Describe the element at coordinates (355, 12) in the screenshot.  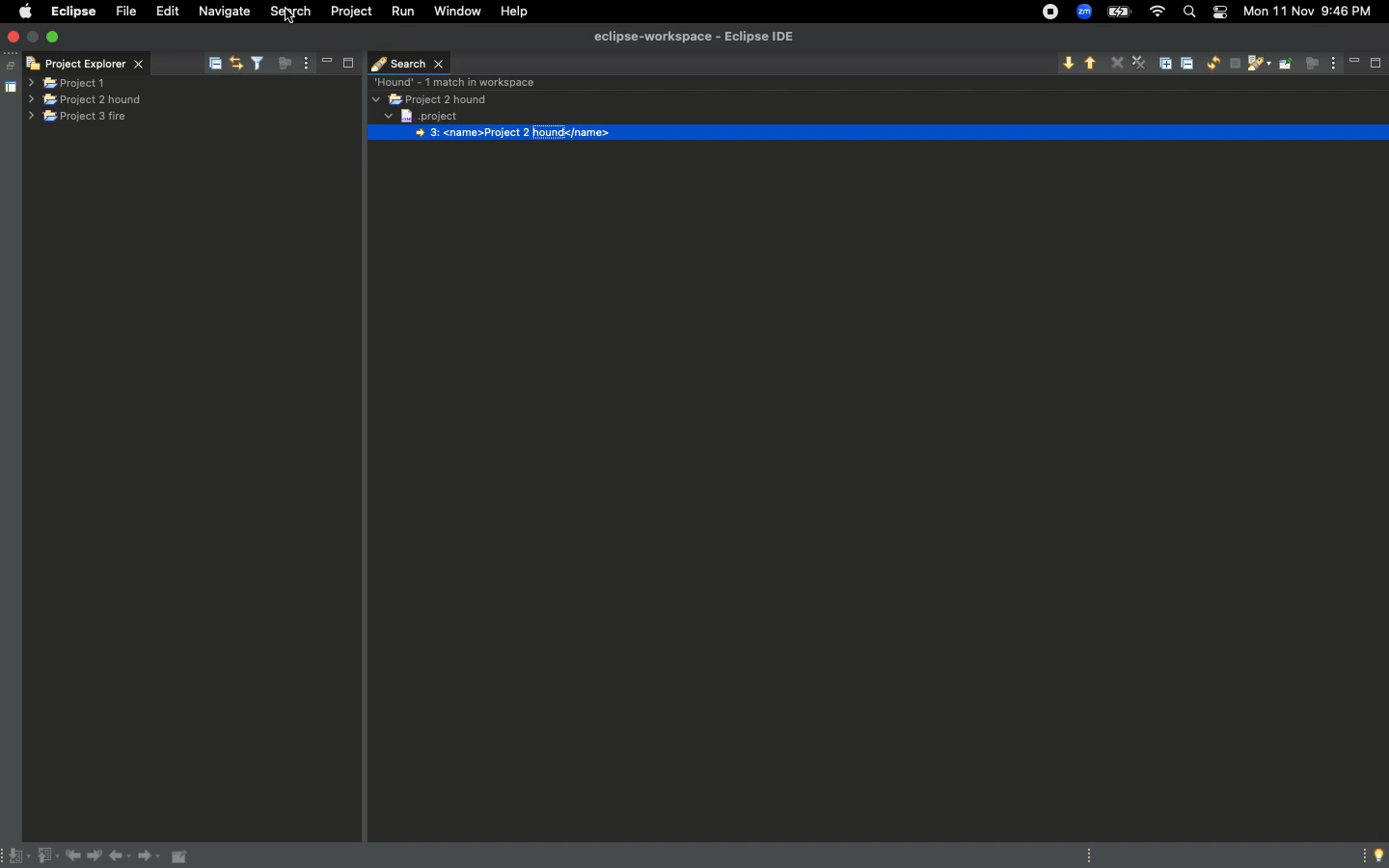
I see `Project` at that location.